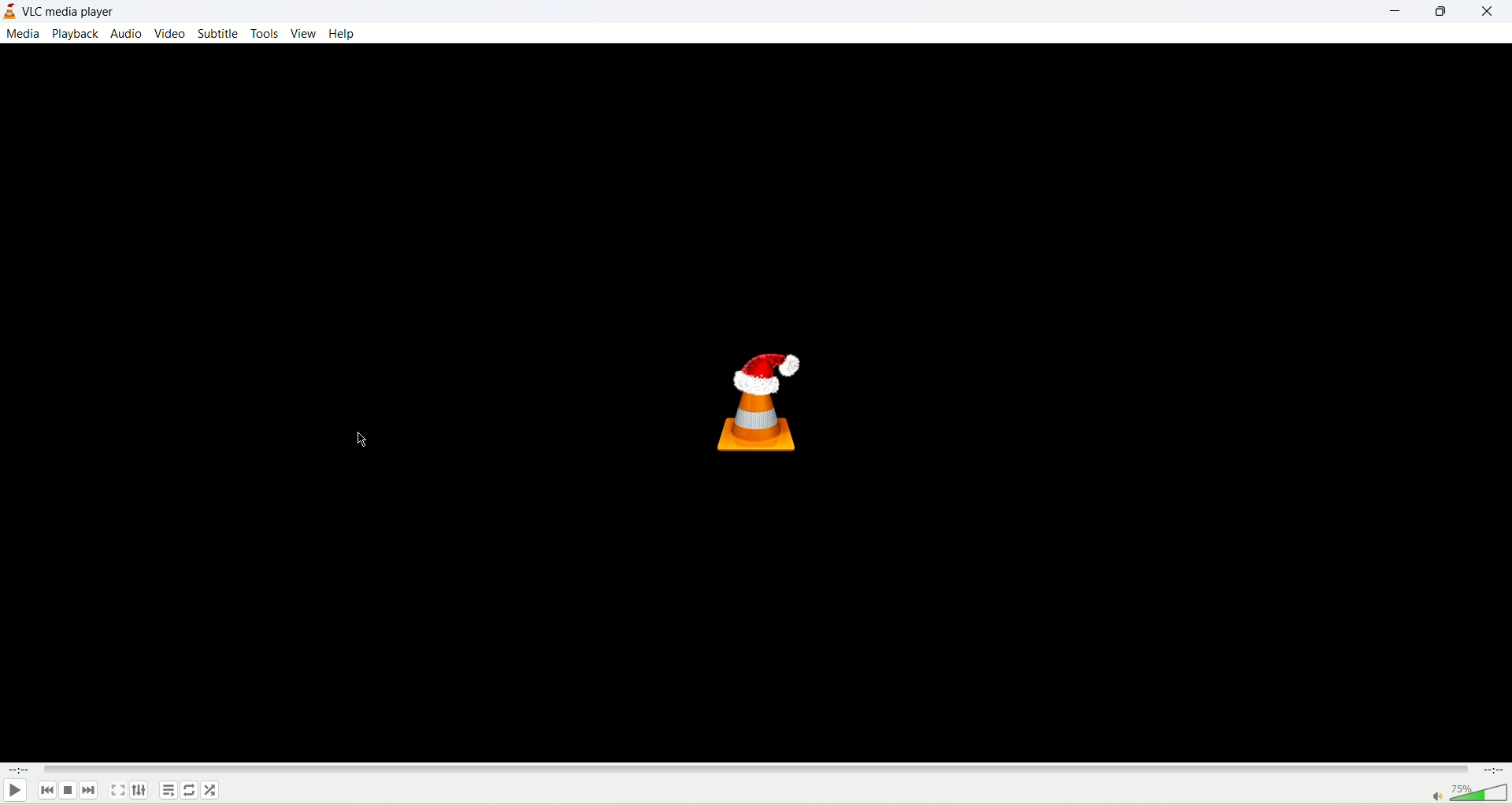 This screenshot has width=1512, height=805. Describe the element at coordinates (1397, 12) in the screenshot. I see `minimize` at that location.